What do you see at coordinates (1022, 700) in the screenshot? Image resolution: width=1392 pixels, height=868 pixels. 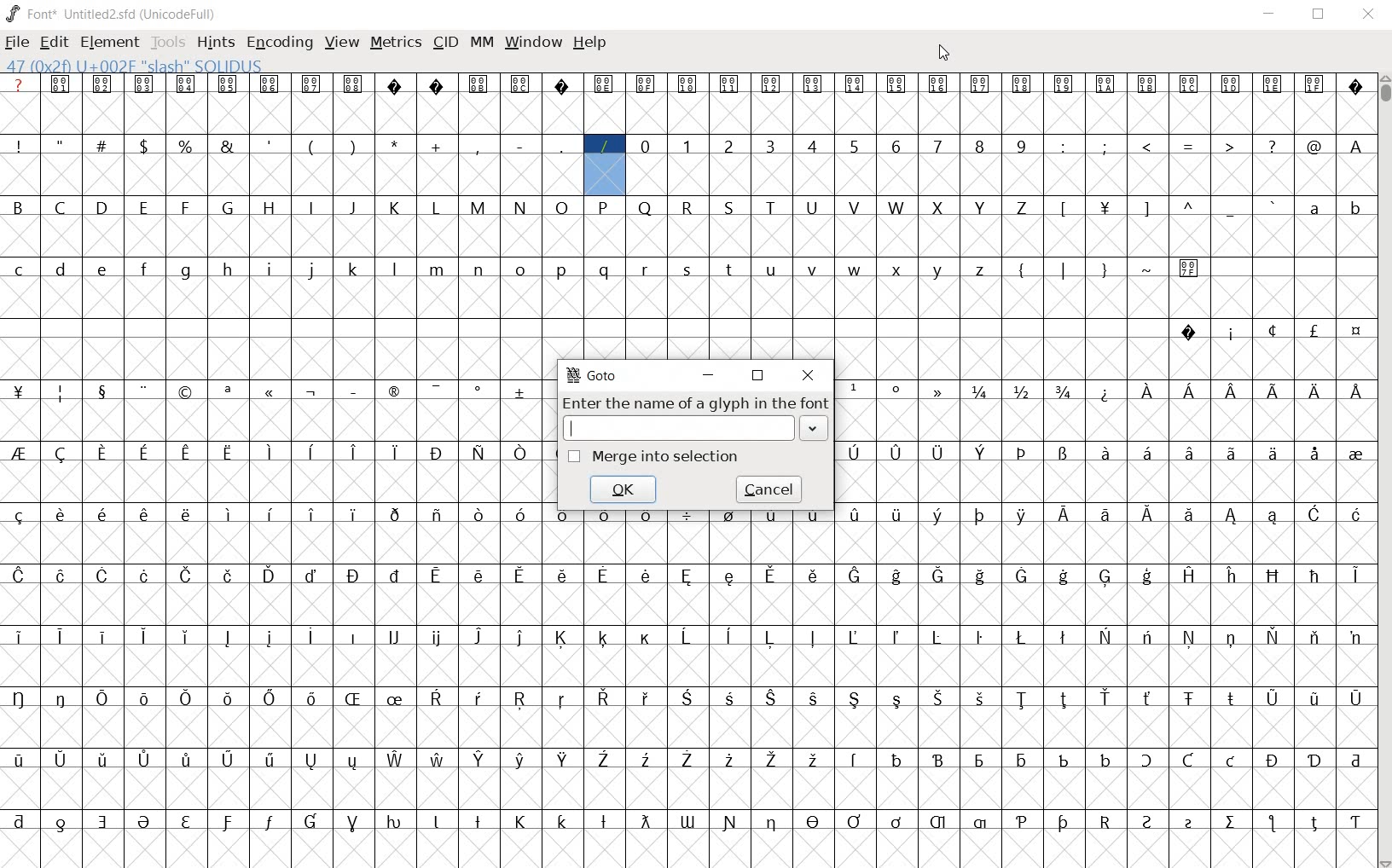 I see `glyph` at bounding box center [1022, 700].